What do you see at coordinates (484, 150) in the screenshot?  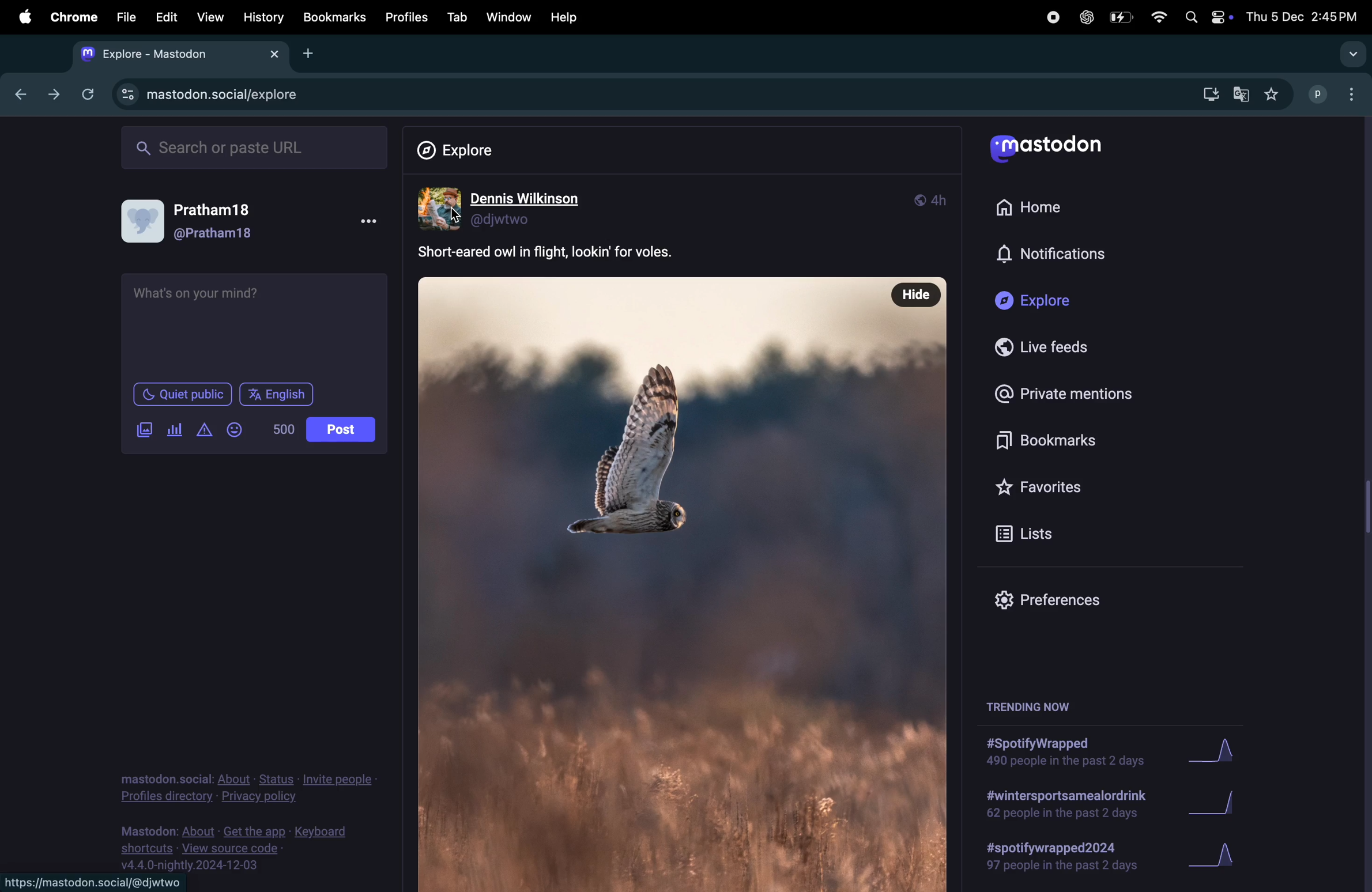 I see `Explore` at bounding box center [484, 150].